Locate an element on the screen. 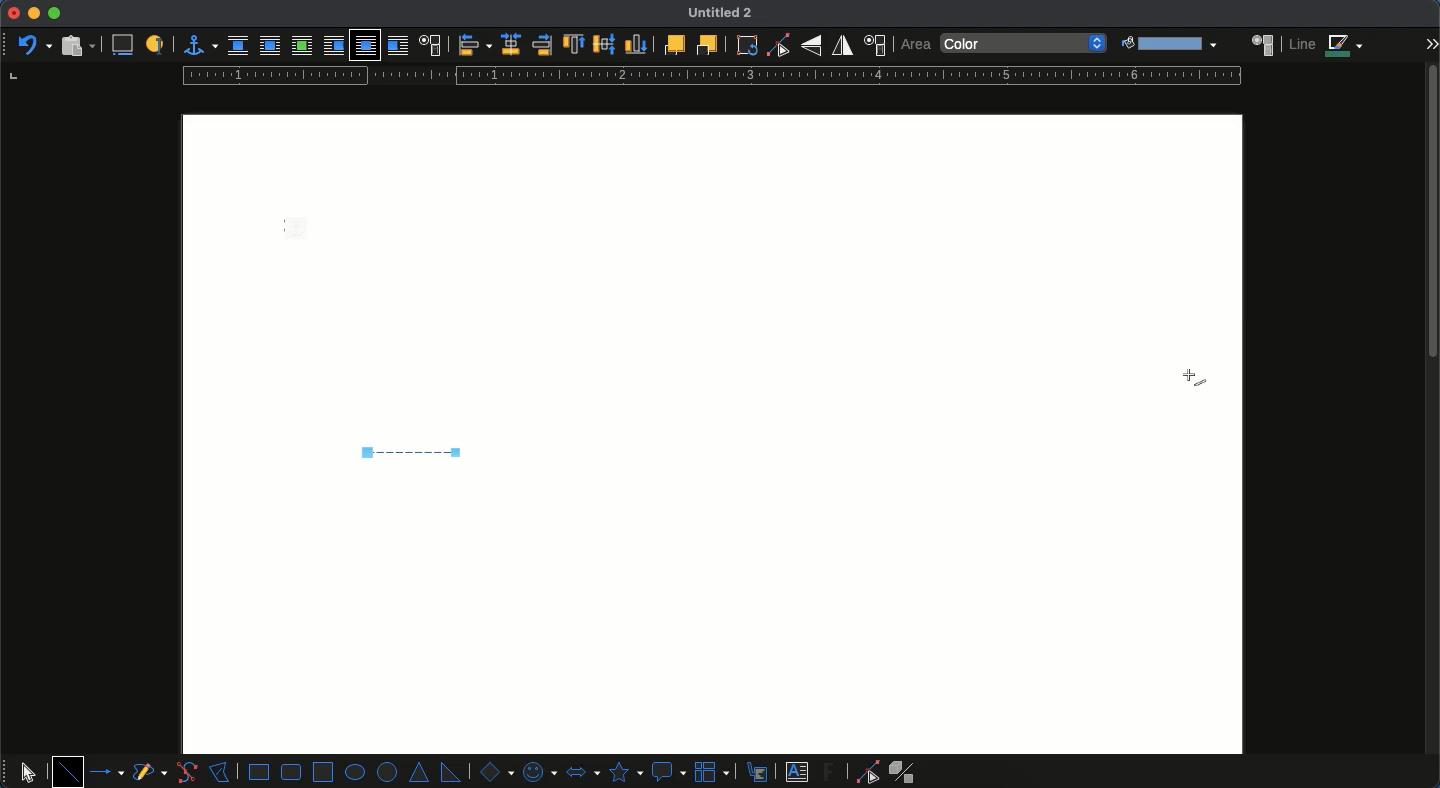  a label to identify object is located at coordinates (155, 46).